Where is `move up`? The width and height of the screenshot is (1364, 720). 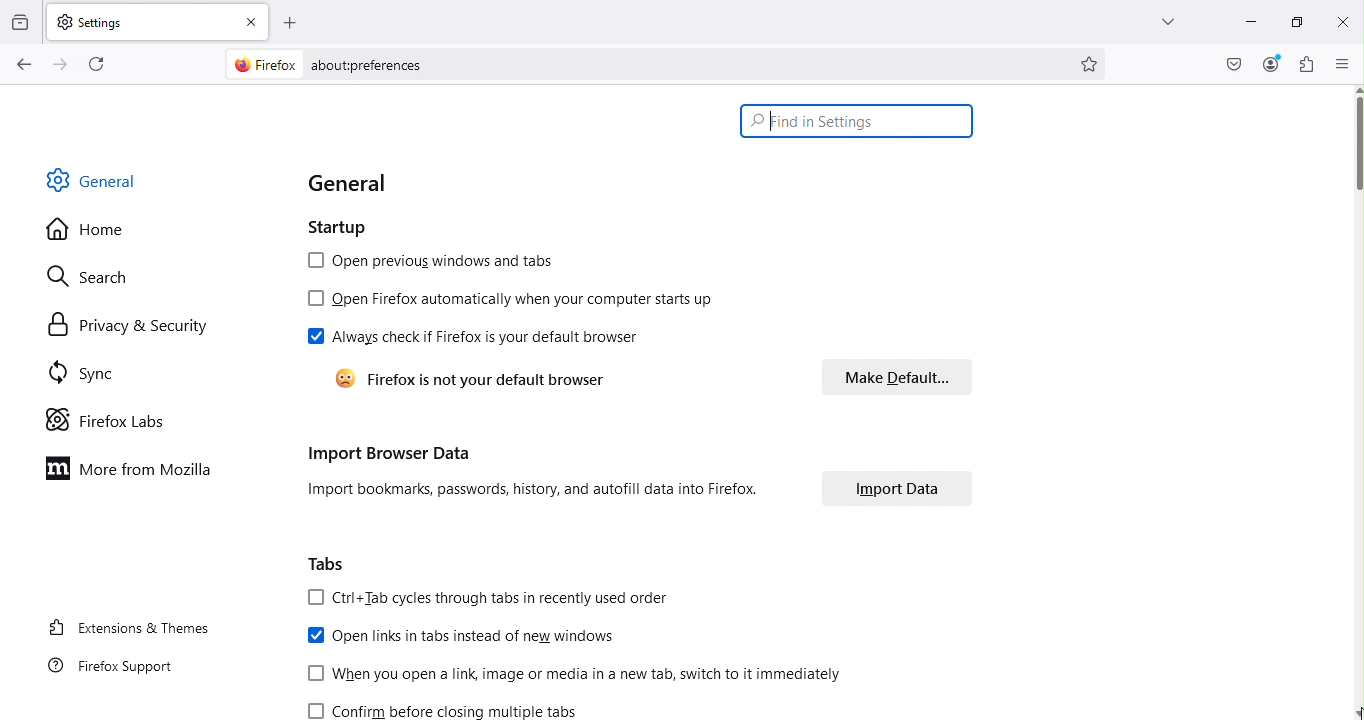
move up is located at coordinates (1355, 88).